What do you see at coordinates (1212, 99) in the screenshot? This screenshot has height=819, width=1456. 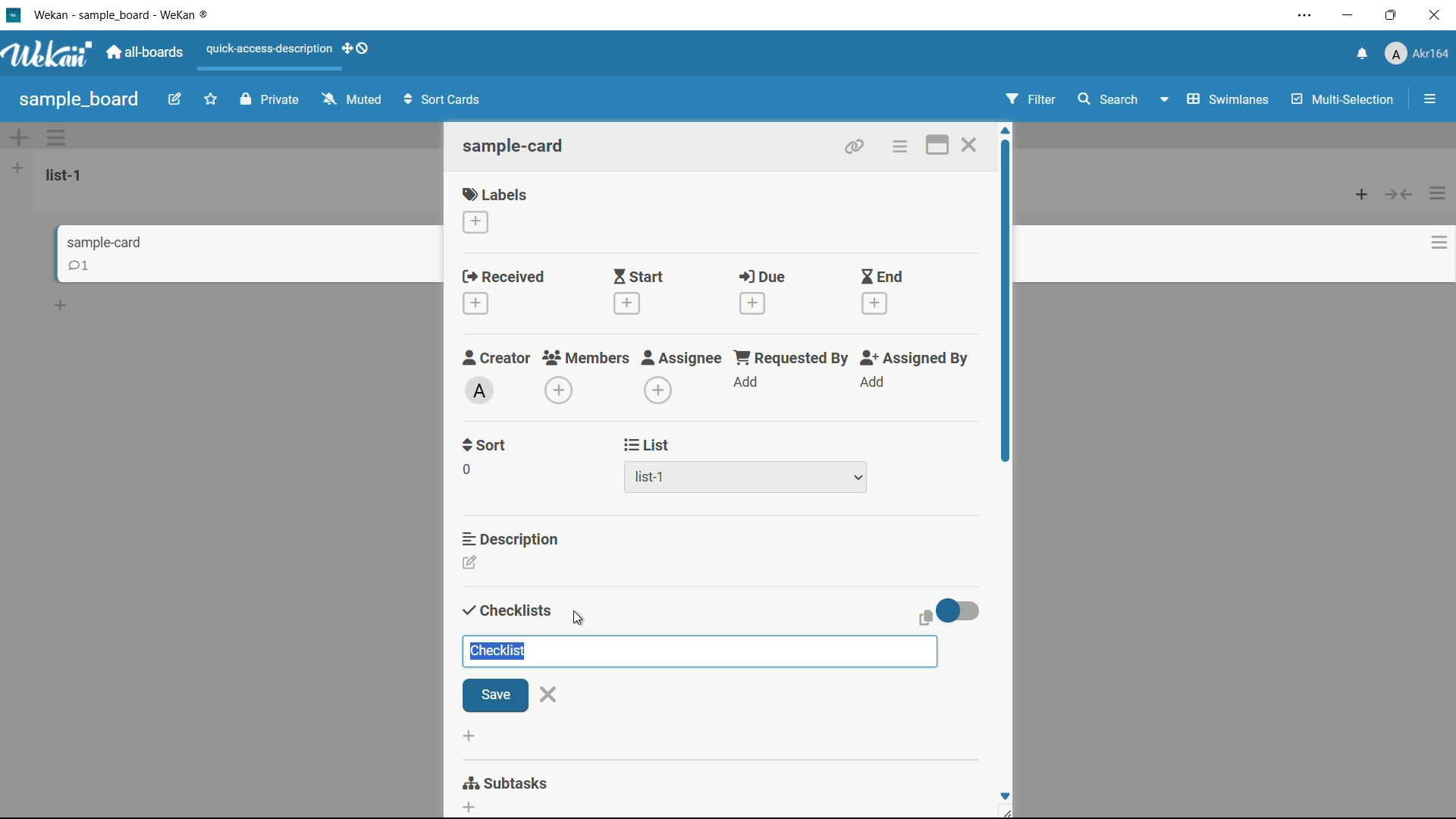 I see ` Swimlanes` at bounding box center [1212, 99].